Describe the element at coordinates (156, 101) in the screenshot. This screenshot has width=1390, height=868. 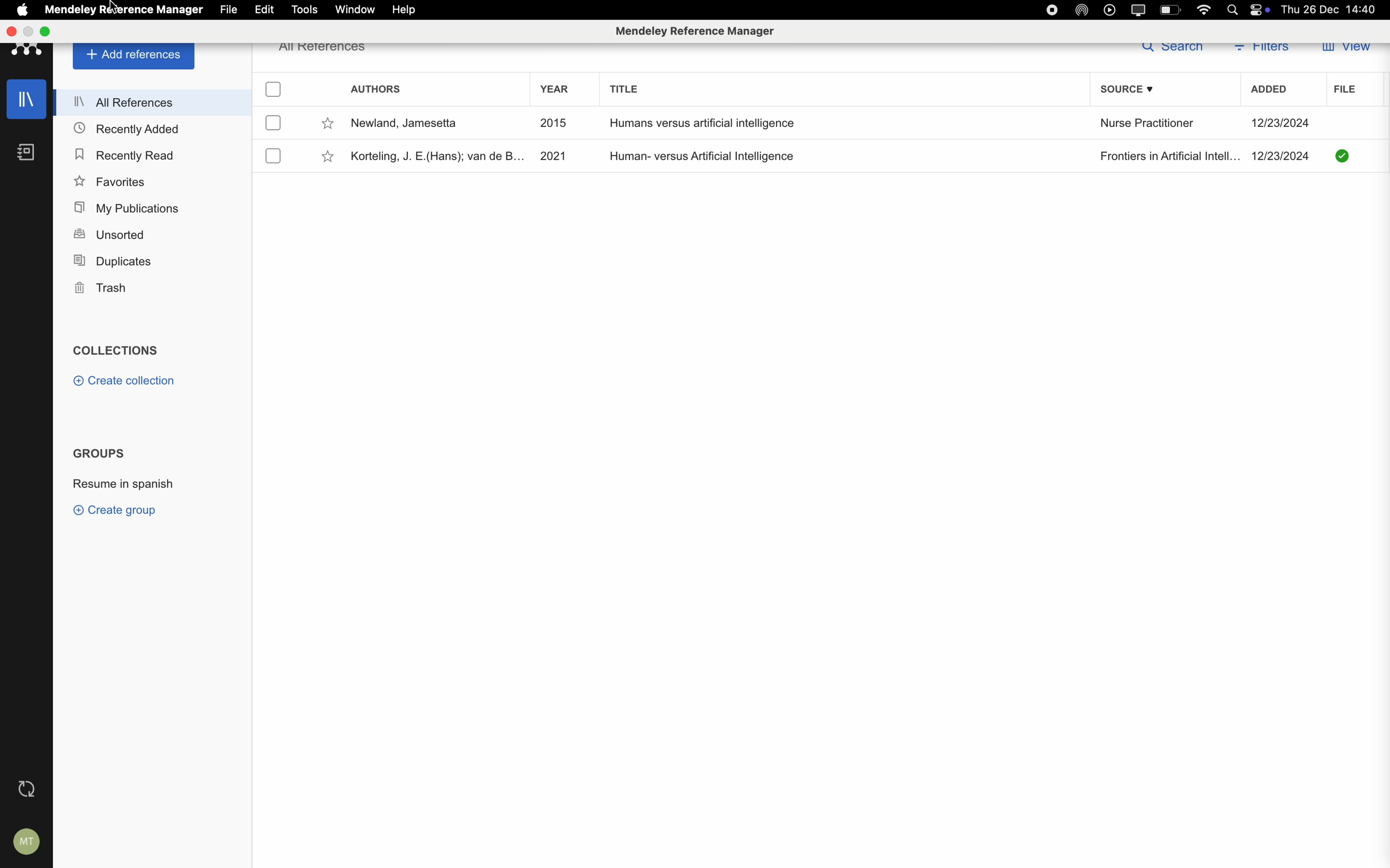
I see `all references` at that location.